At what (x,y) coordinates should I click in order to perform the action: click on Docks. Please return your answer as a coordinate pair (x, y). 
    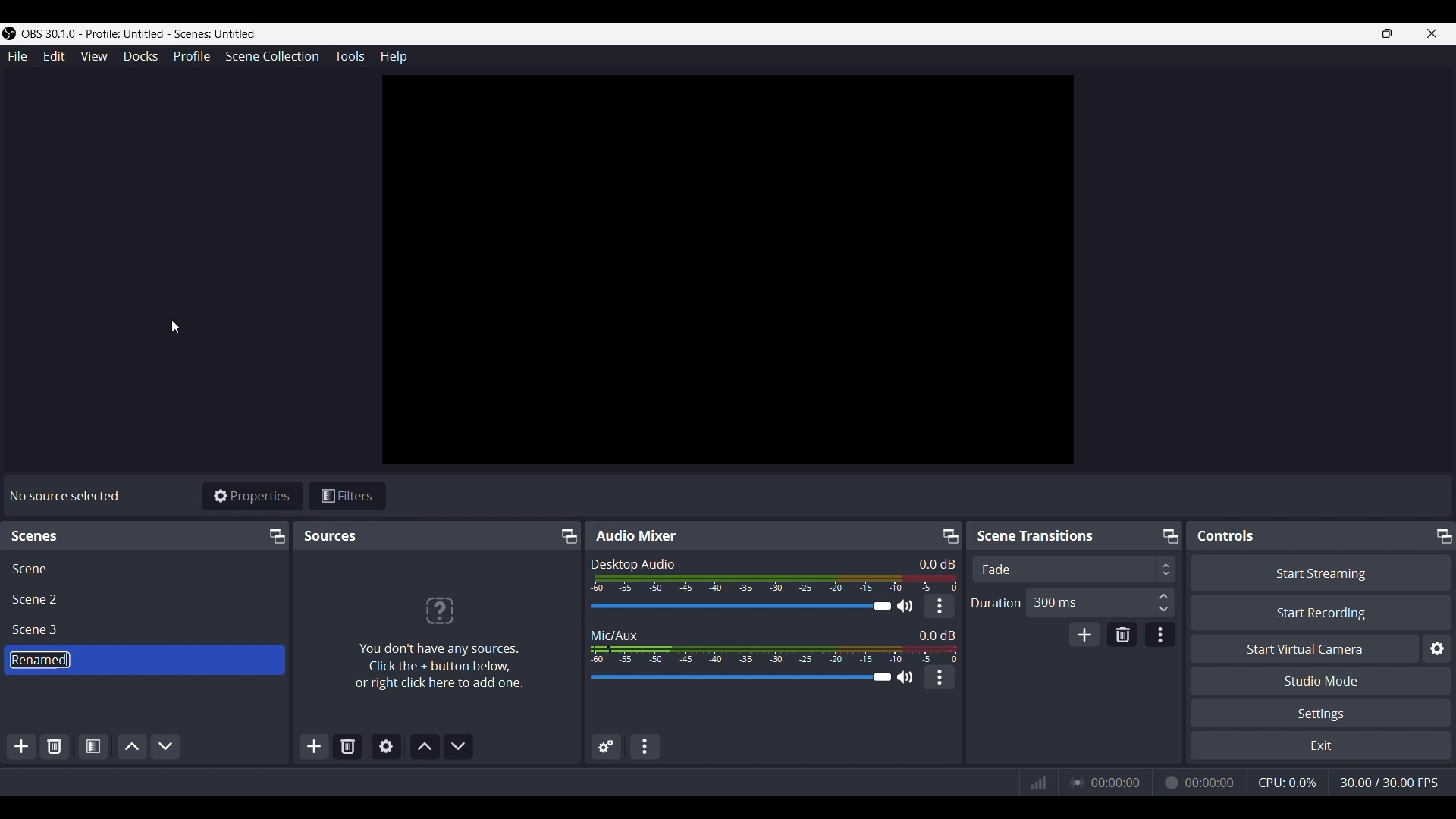
    Looking at the image, I should click on (141, 57).